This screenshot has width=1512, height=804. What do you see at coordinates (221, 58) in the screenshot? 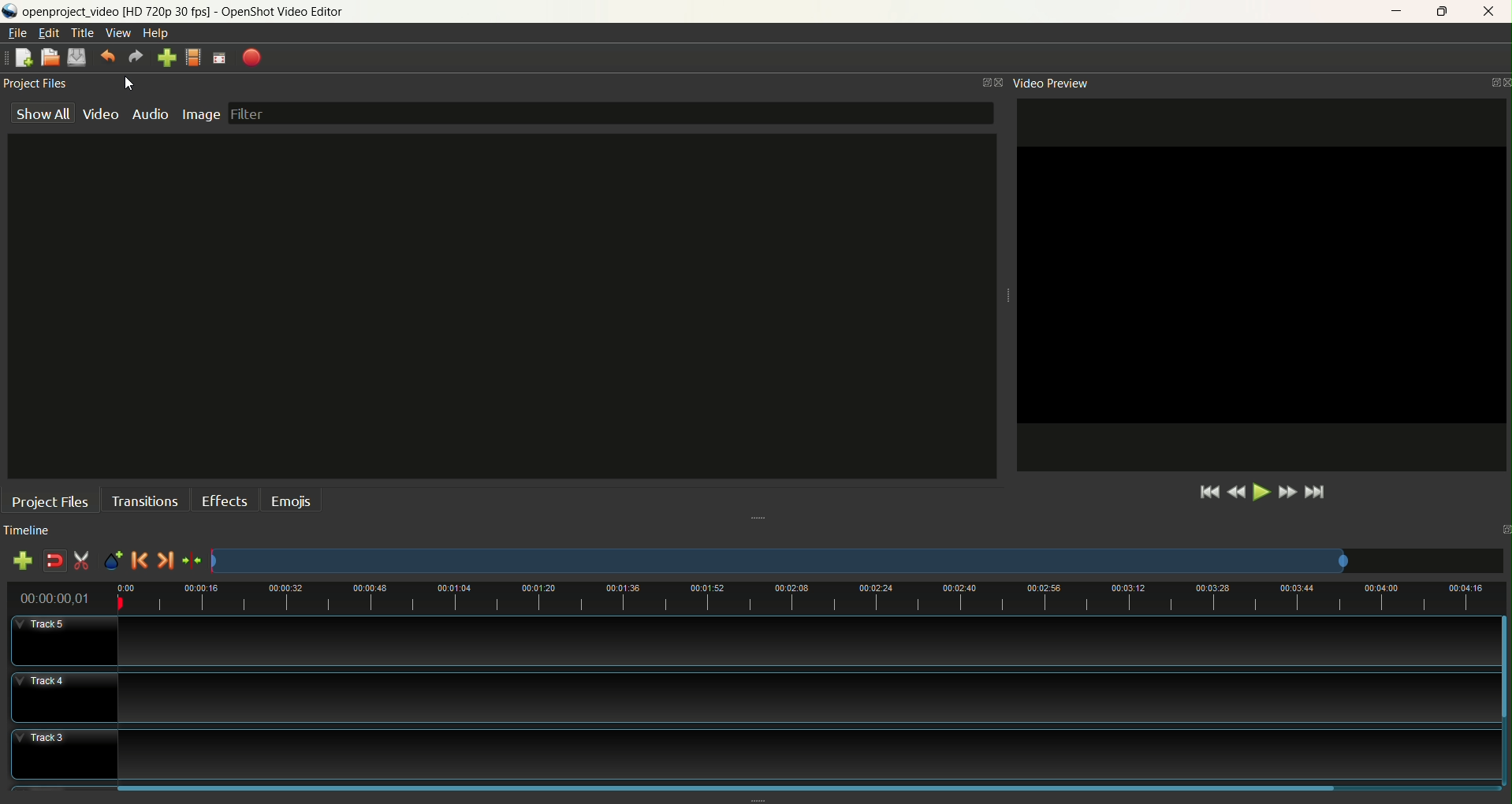
I see `fullscreen` at bounding box center [221, 58].